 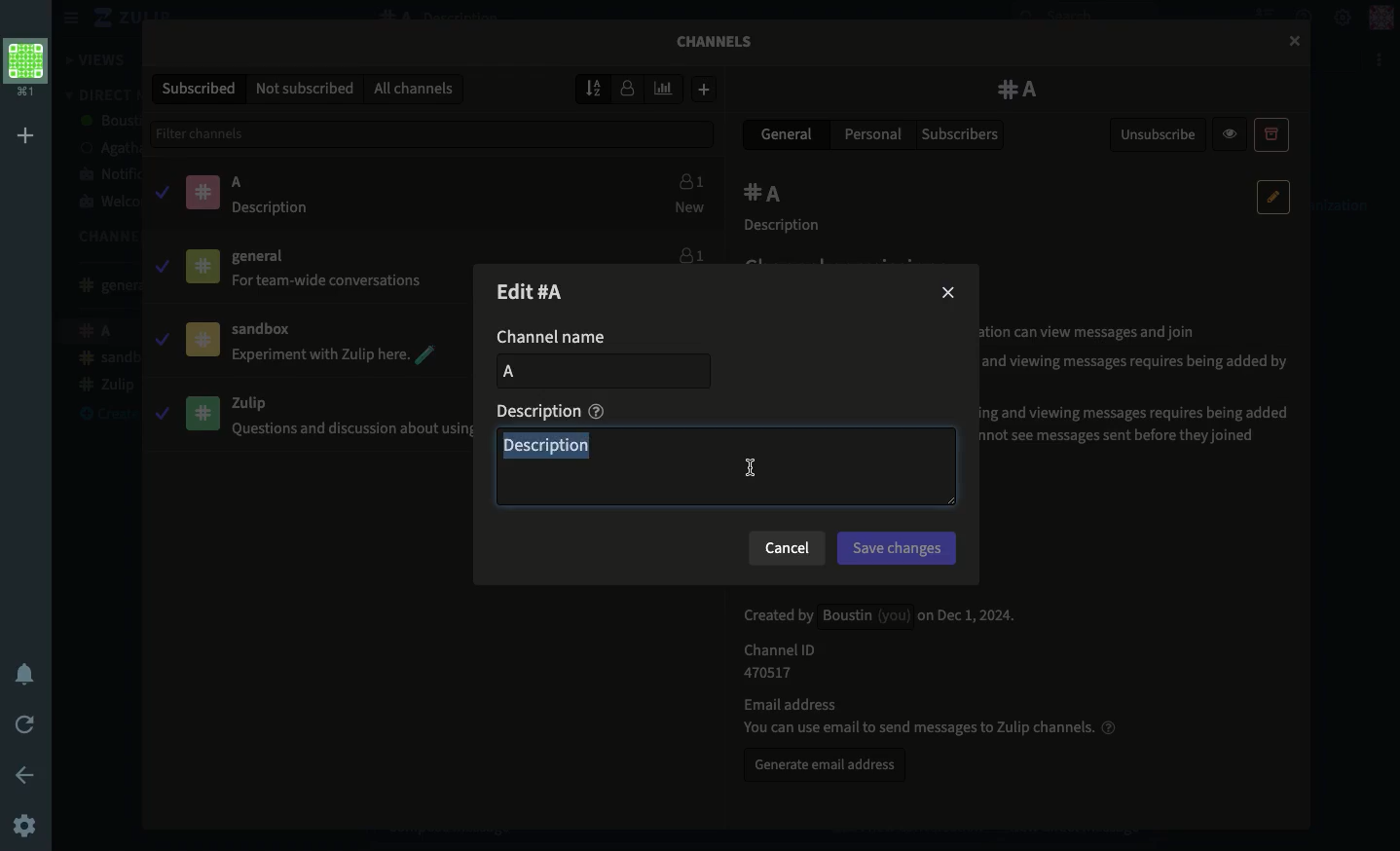 What do you see at coordinates (25, 726) in the screenshot?
I see `Refresh` at bounding box center [25, 726].